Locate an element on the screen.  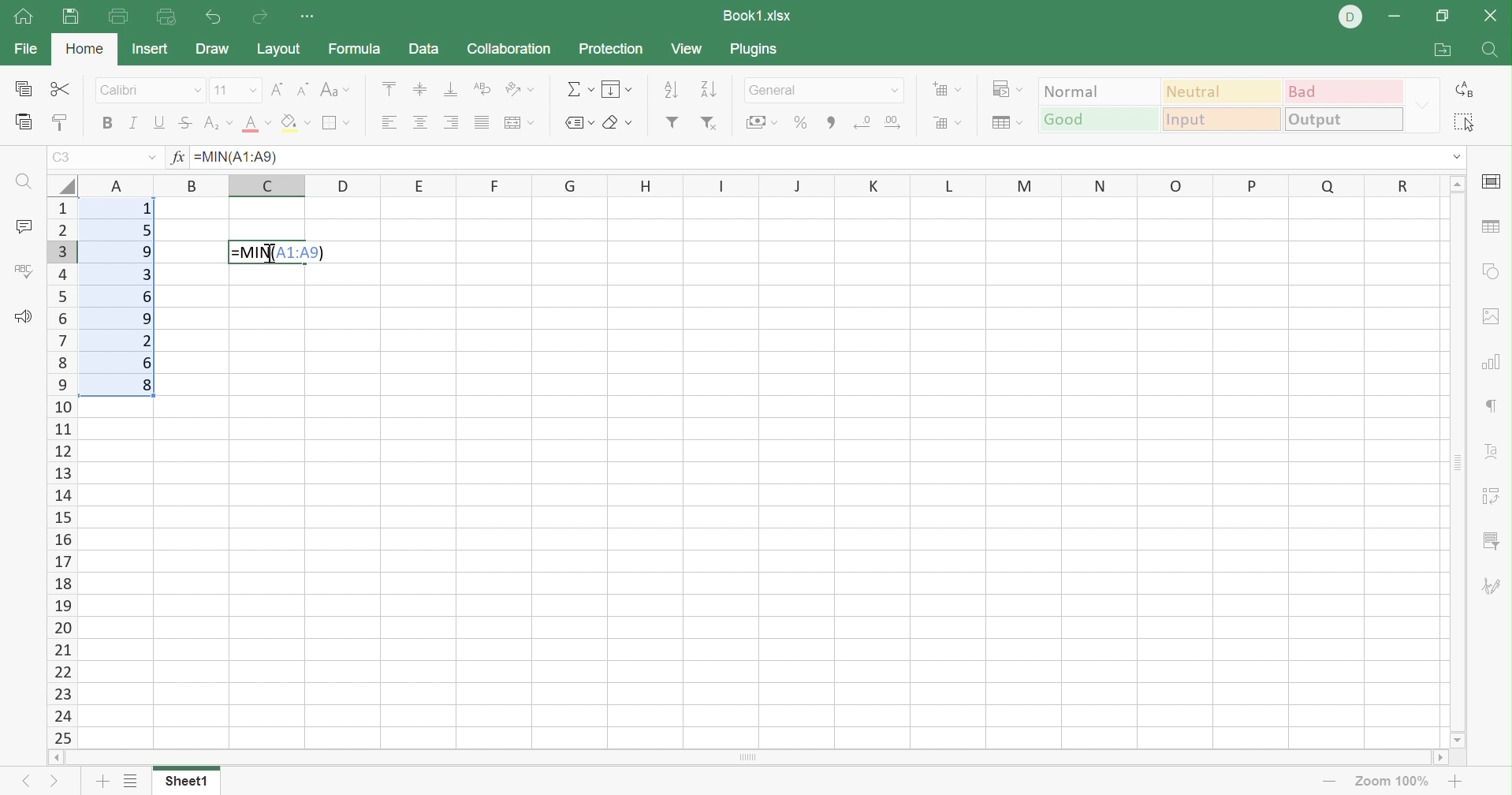
Decrease decimal is located at coordinates (863, 118).